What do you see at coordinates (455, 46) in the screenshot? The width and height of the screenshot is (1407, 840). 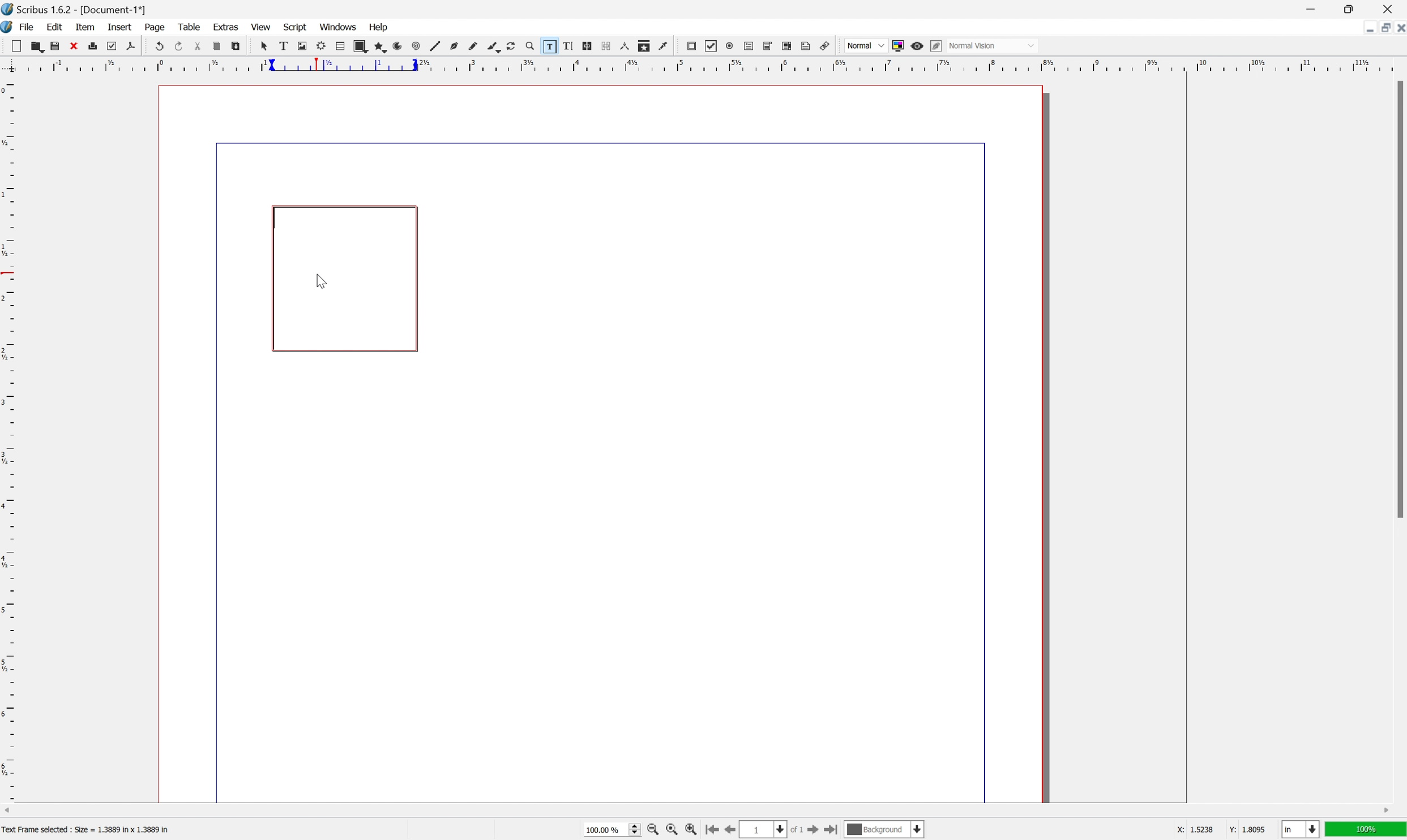 I see `bezier curve` at bounding box center [455, 46].